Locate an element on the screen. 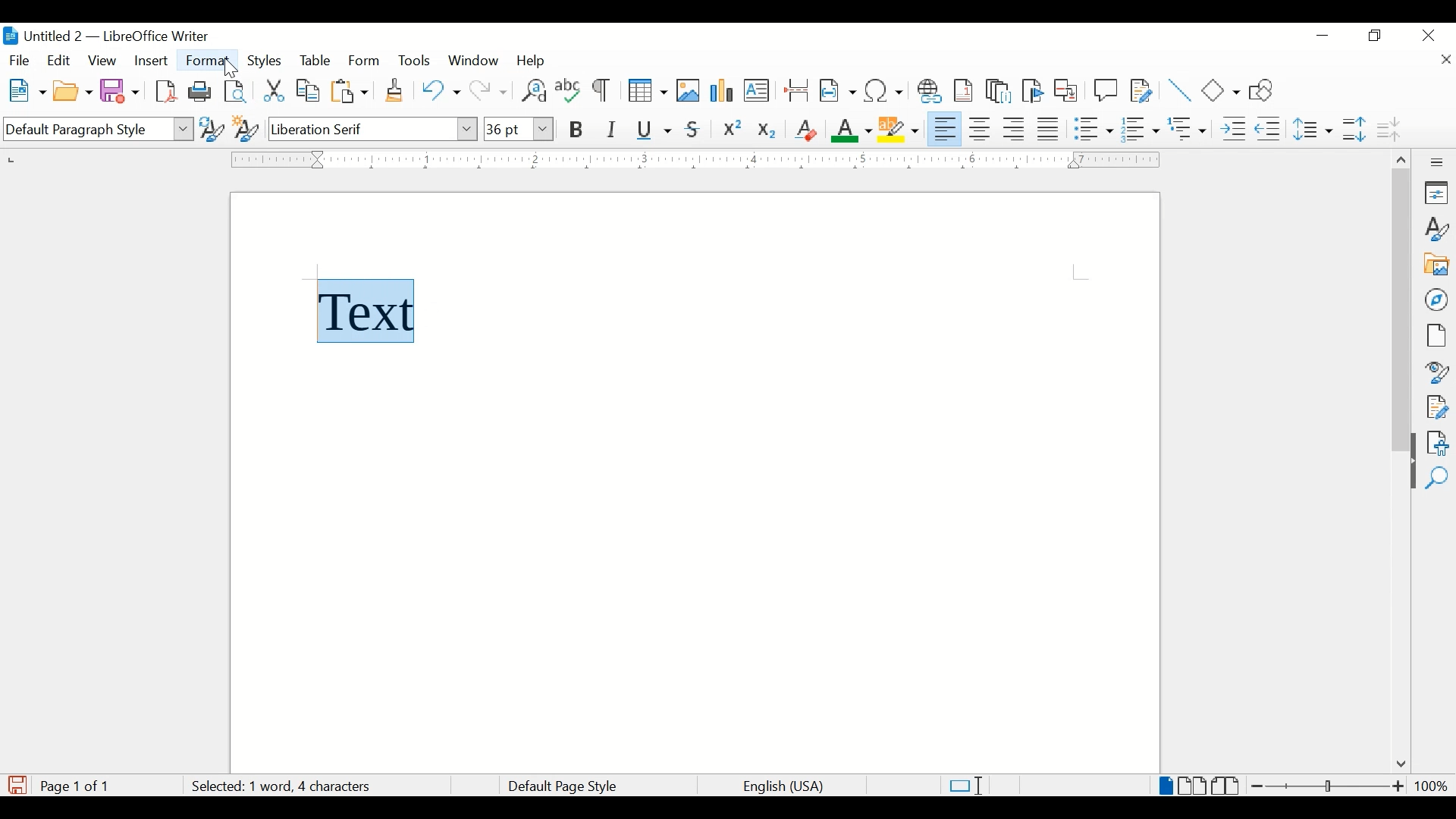  strikethrough is located at coordinates (693, 130).